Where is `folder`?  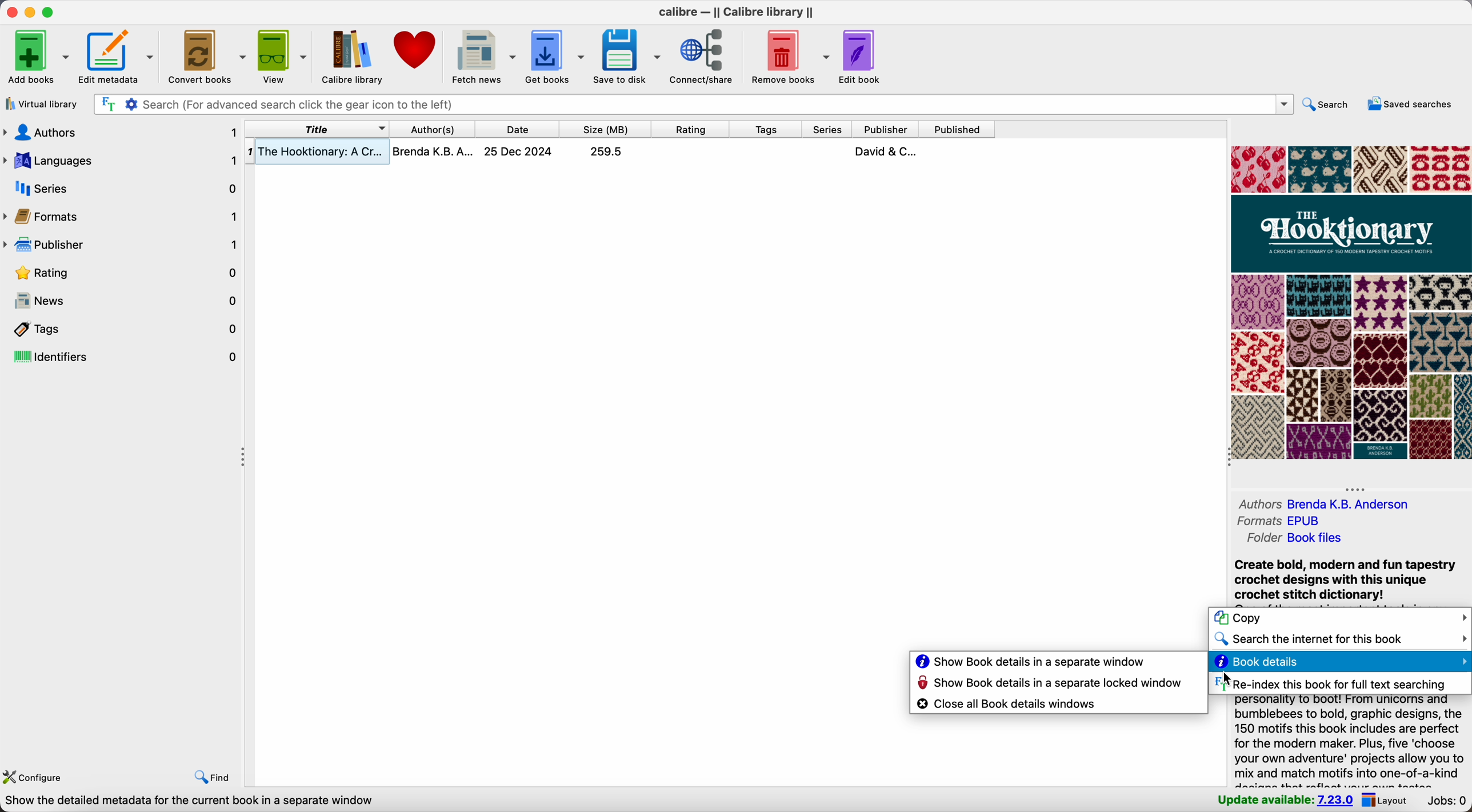
folder is located at coordinates (1294, 539).